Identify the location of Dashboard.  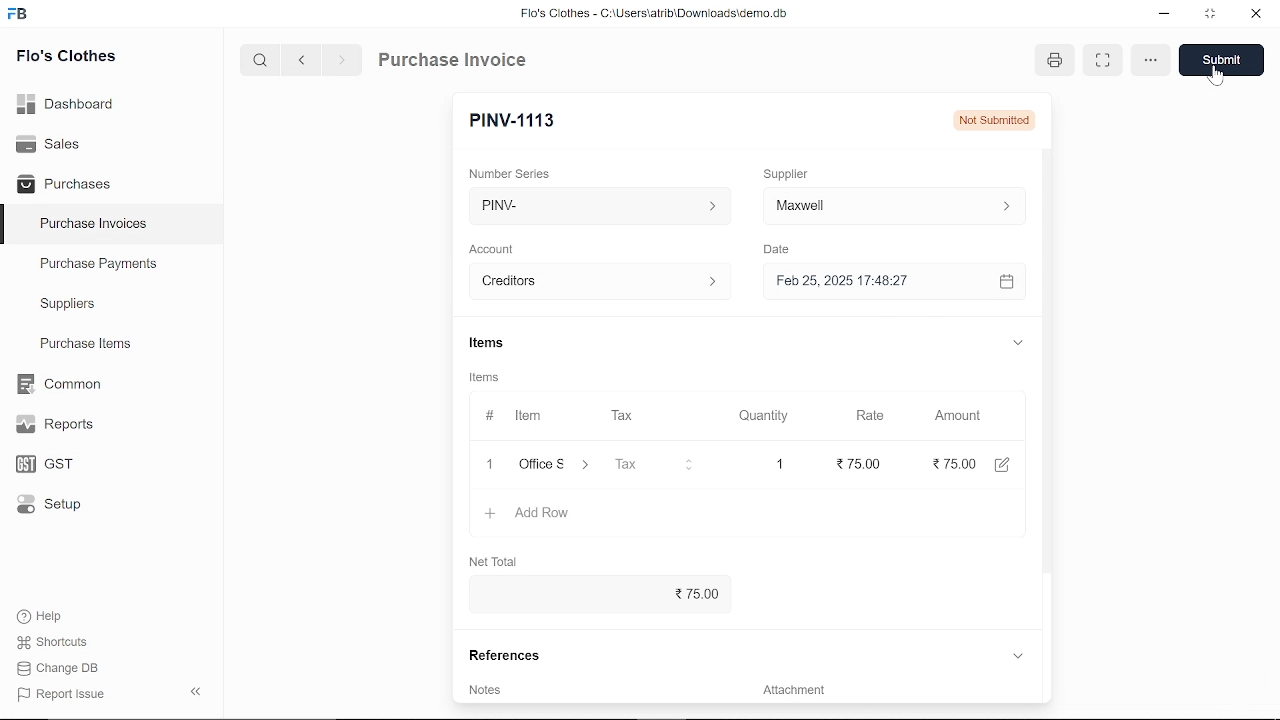
(66, 102).